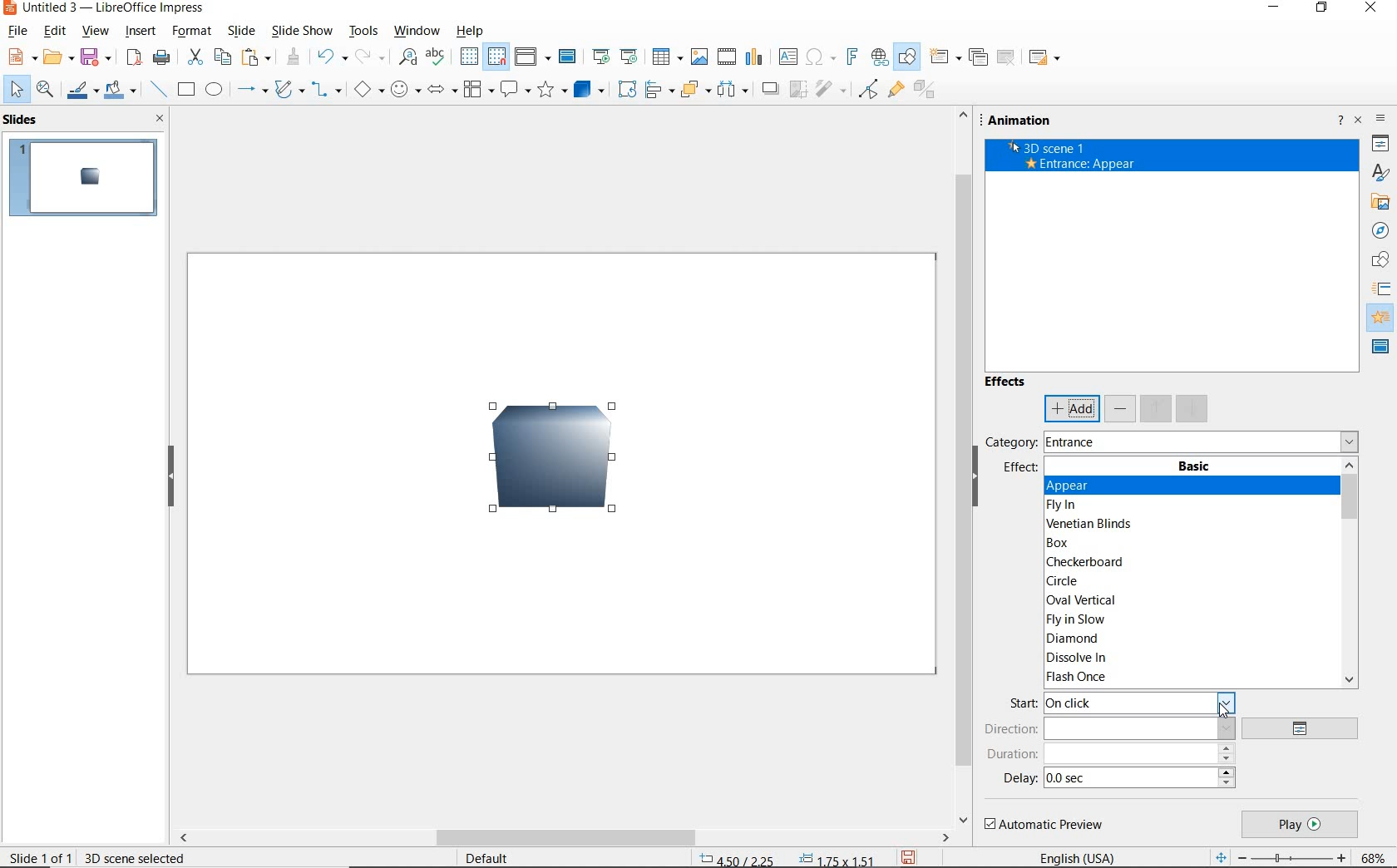 Image resolution: width=1397 pixels, height=868 pixels. Describe the element at coordinates (667, 57) in the screenshot. I see `insert table` at that location.